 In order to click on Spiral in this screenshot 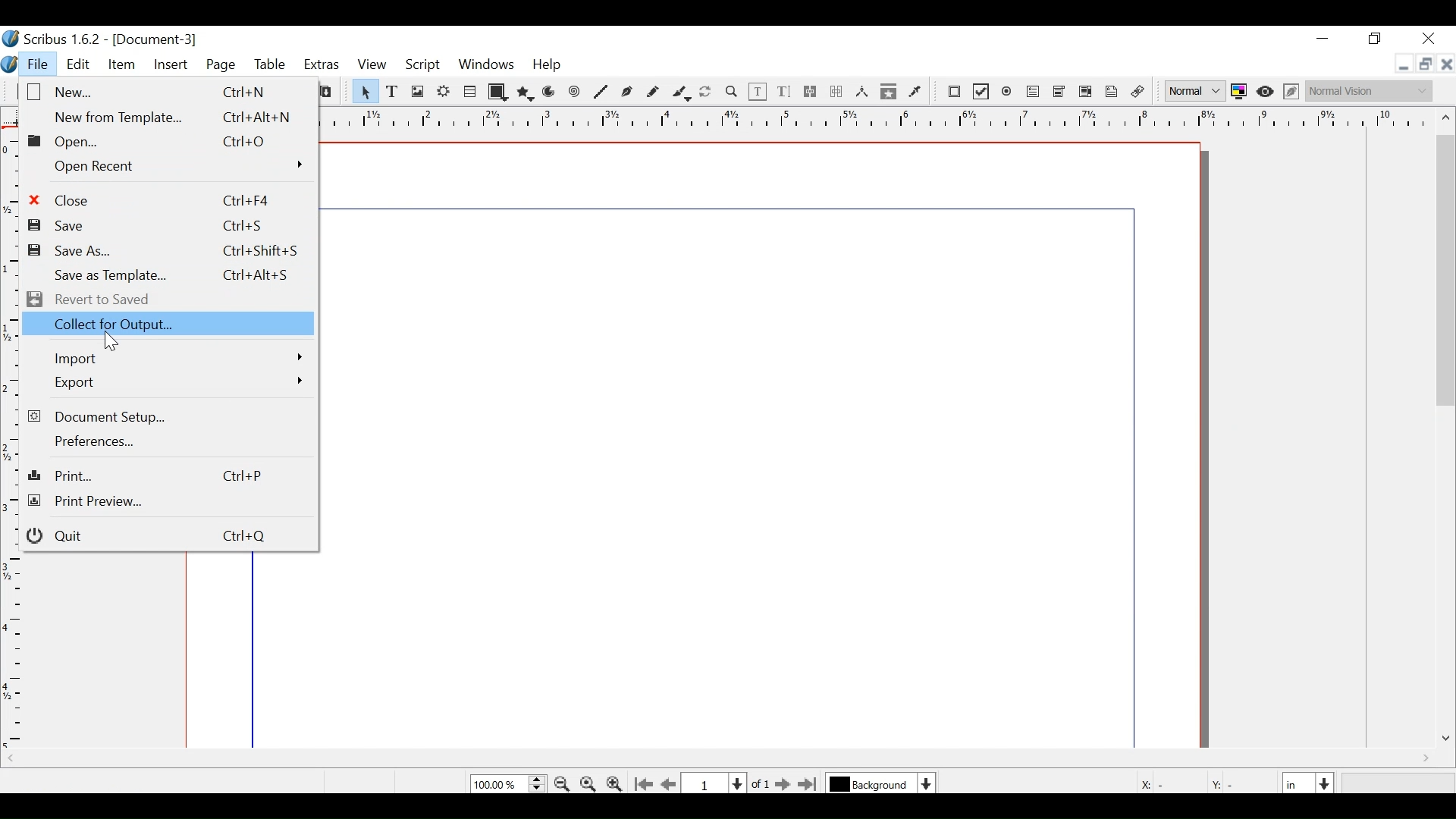, I will do `click(575, 93)`.